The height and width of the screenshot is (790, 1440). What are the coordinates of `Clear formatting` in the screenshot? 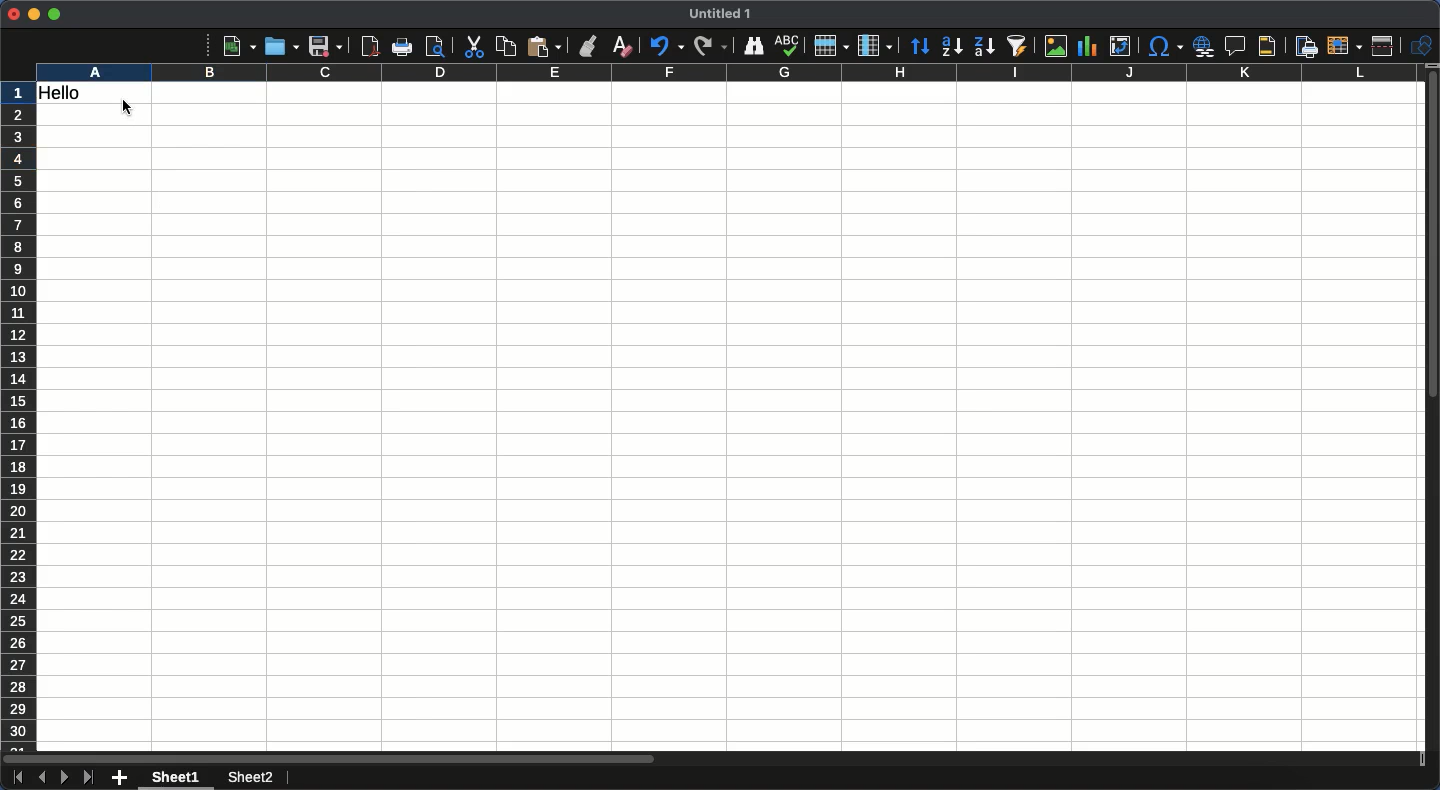 It's located at (623, 45).